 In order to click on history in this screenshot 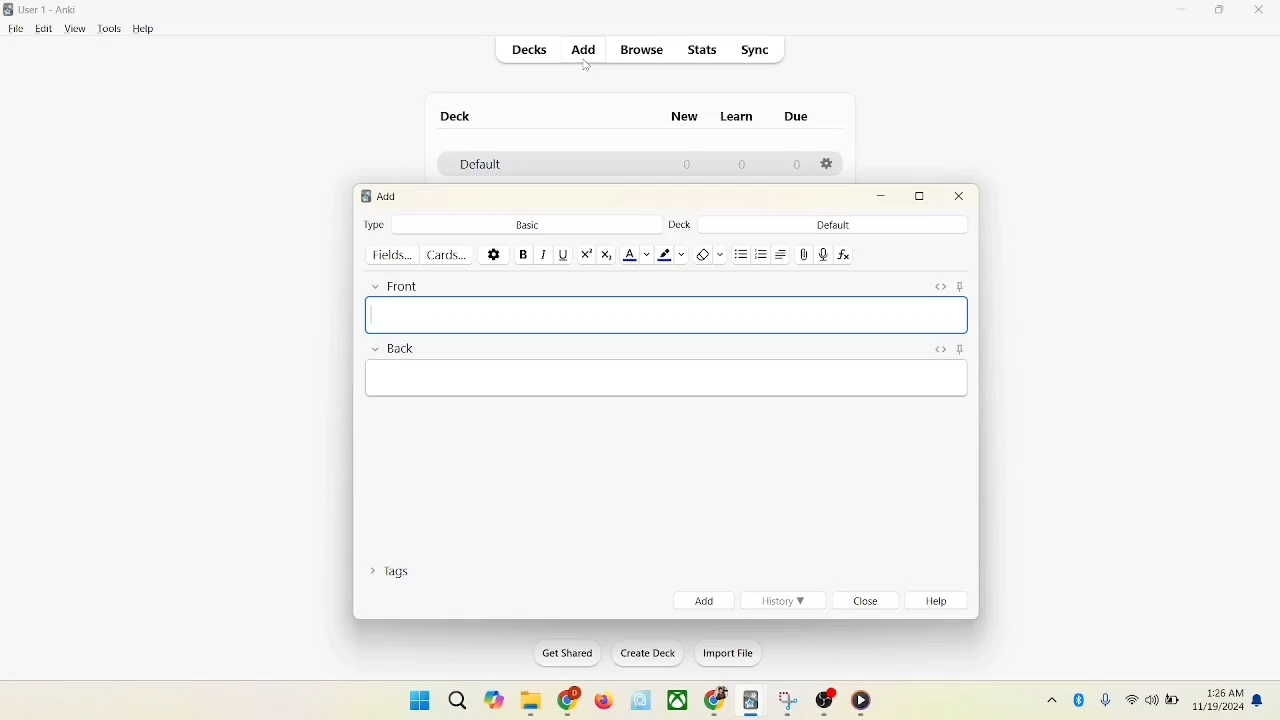, I will do `click(784, 601)`.